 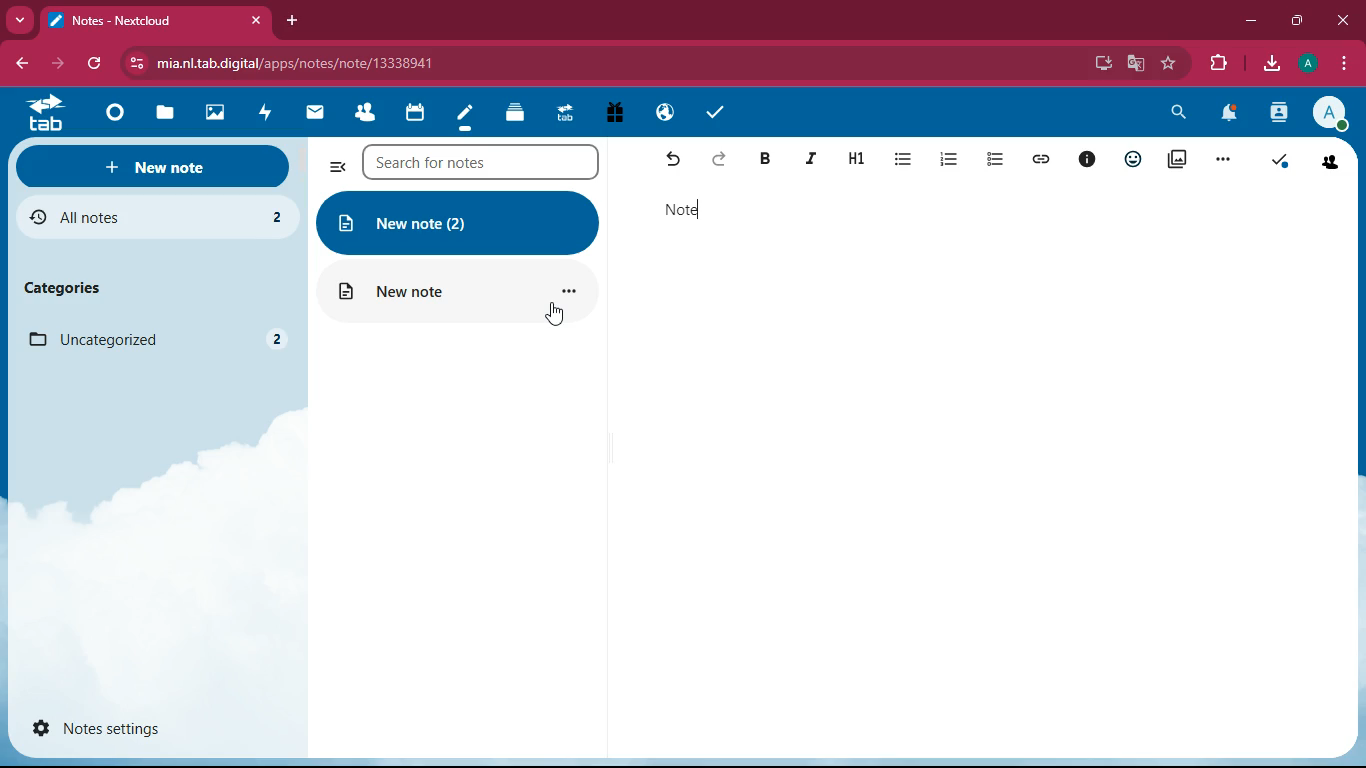 What do you see at coordinates (1218, 64) in the screenshot?
I see `extension` at bounding box center [1218, 64].